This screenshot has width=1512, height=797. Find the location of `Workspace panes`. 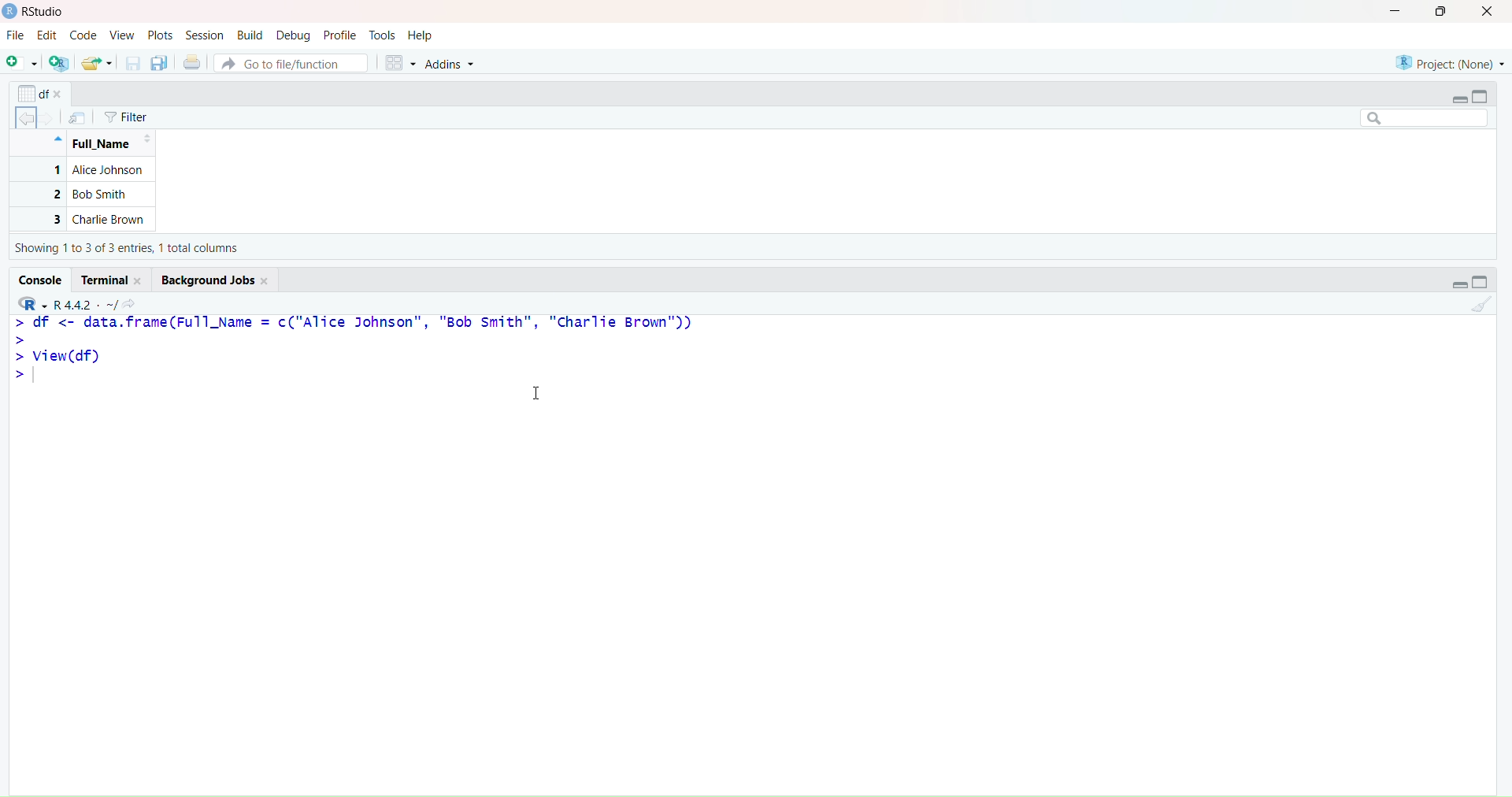

Workspace panes is located at coordinates (400, 63).